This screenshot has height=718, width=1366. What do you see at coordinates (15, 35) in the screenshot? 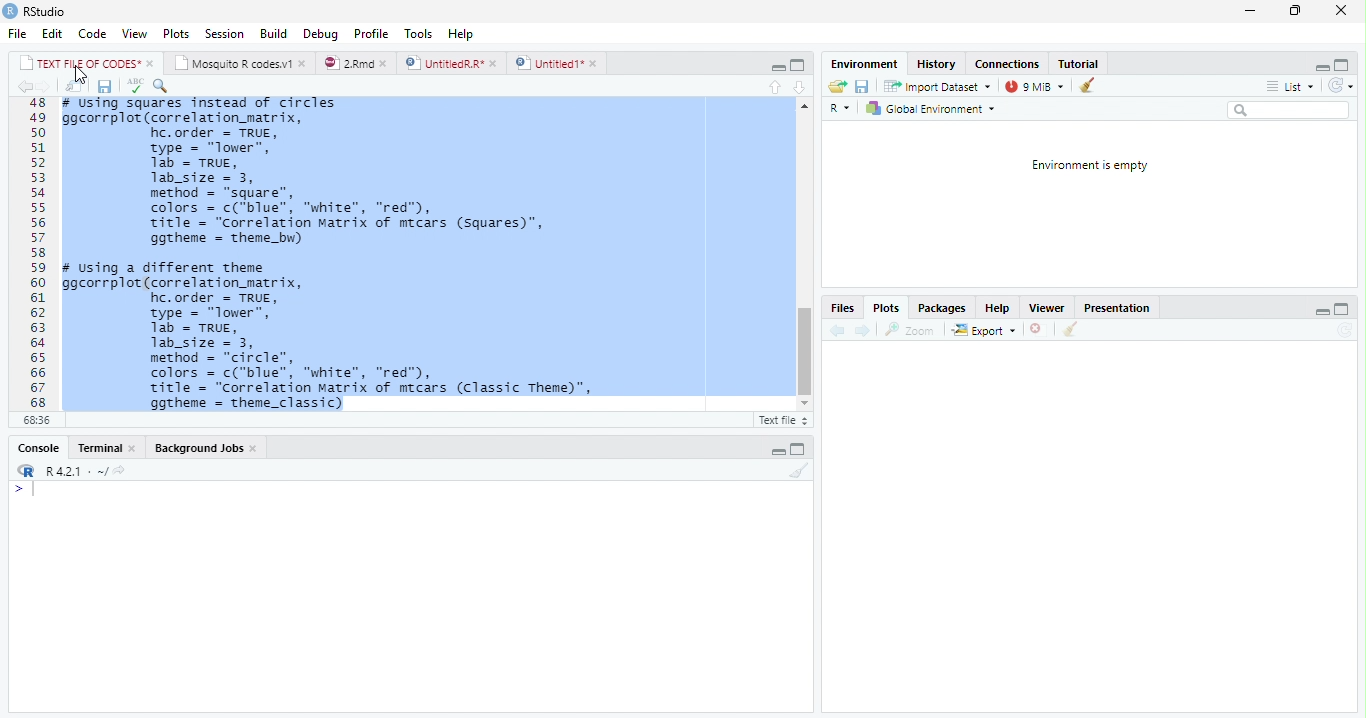
I see `File` at bounding box center [15, 35].